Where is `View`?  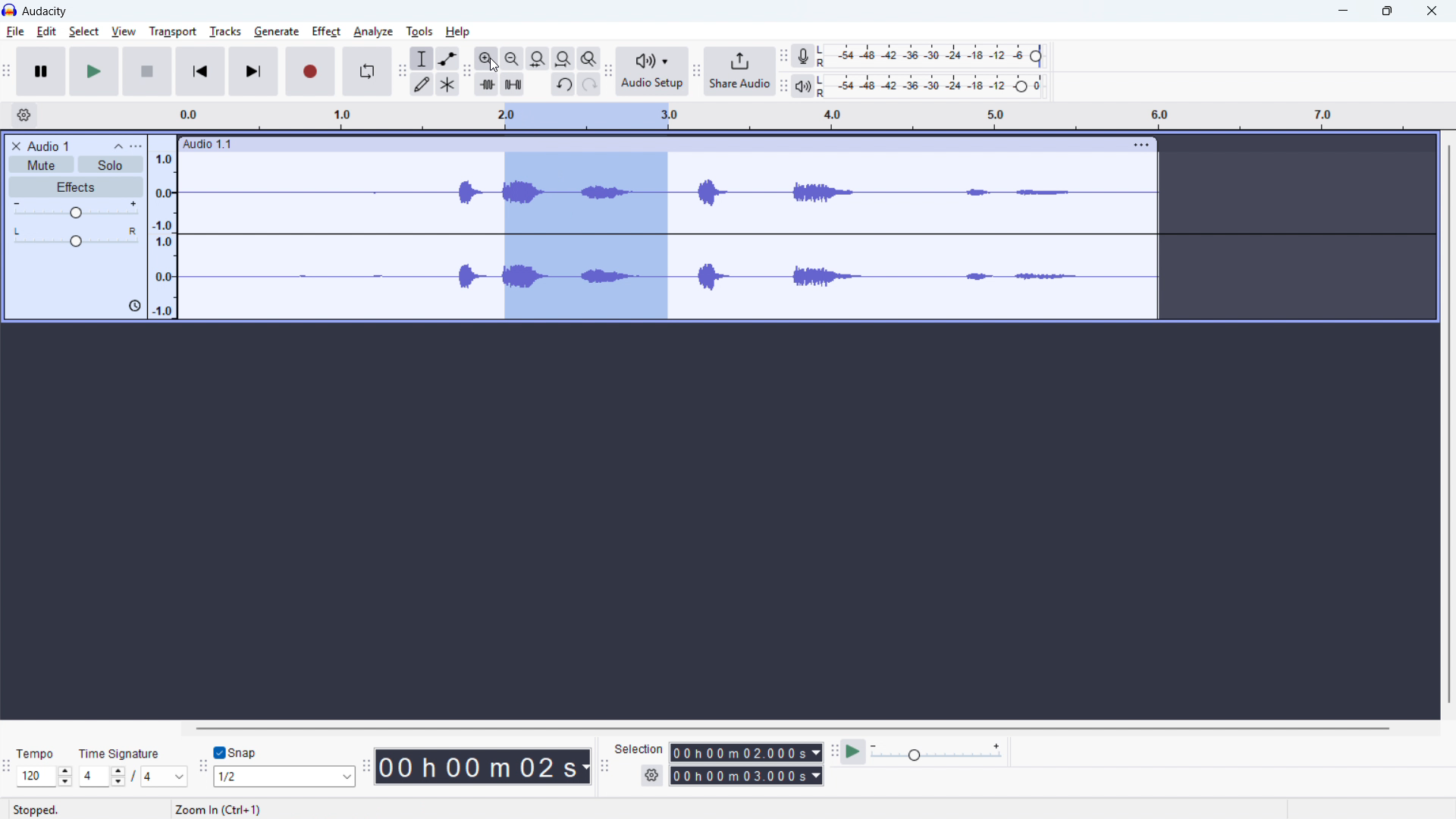 View is located at coordinates (123, 32).